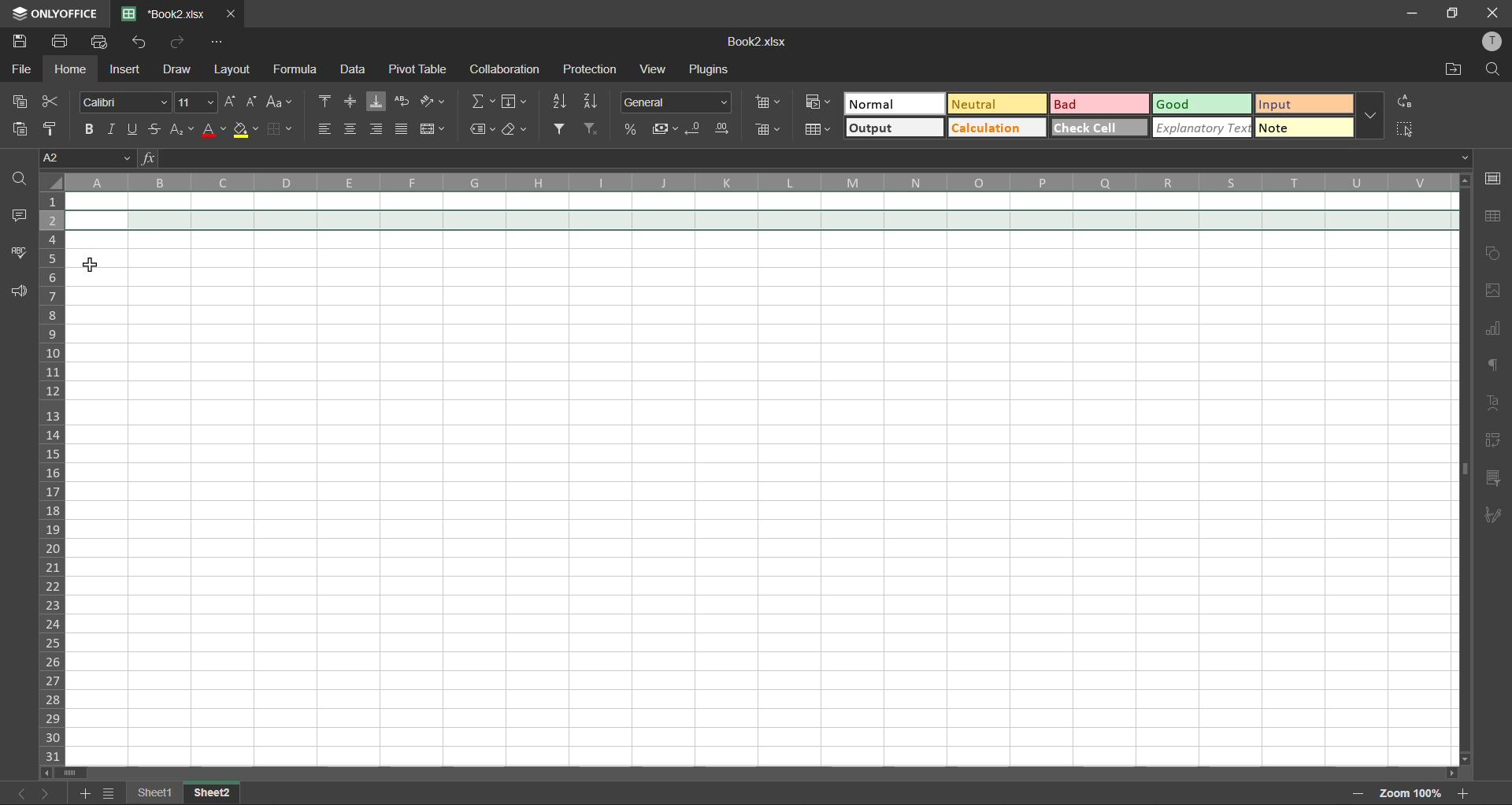 The width and height of the screenshot is (1512, 805). Describe the element at coordinates (55, 480) in the screenshot. I see `row numbers` at that location.